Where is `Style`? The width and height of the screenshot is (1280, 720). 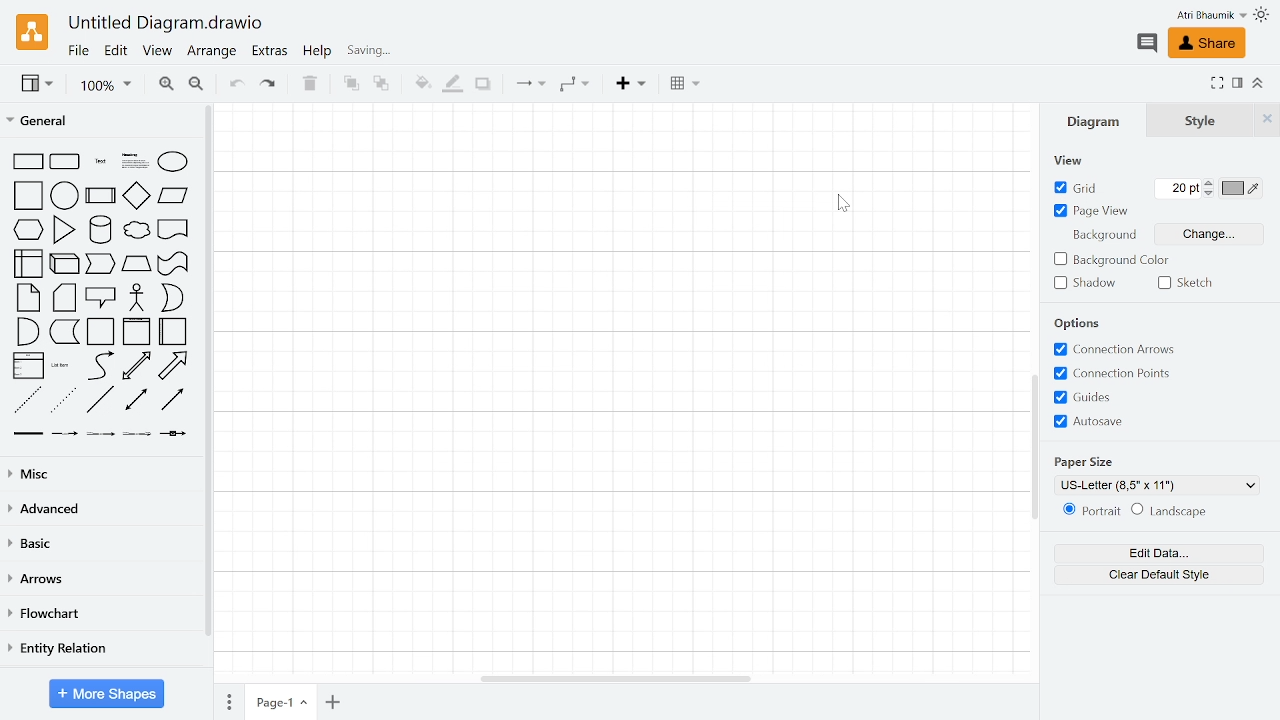 Style is located at coordinates (1198, 123).